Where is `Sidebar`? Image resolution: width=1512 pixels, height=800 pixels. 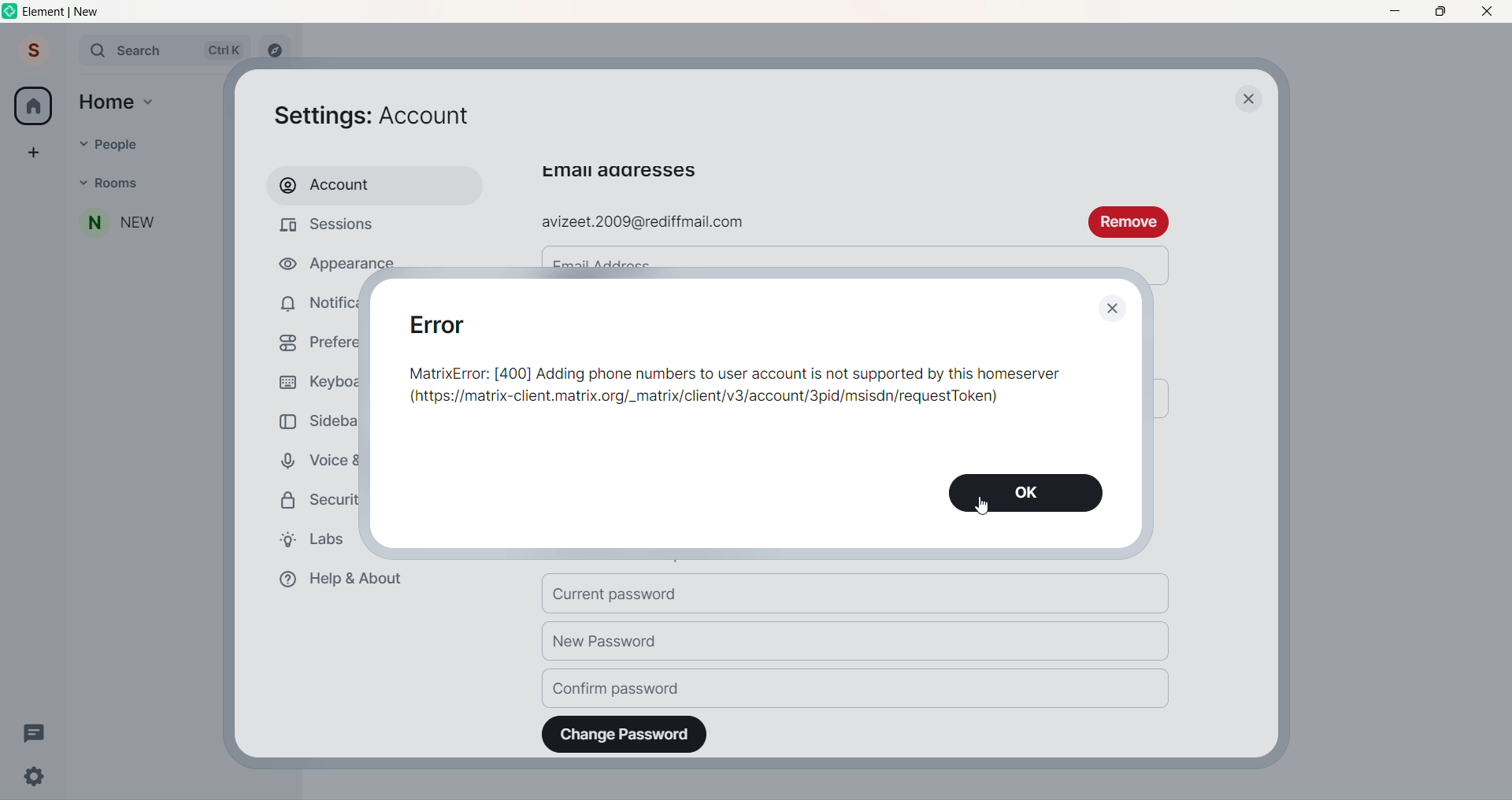 Sidebar is located at coordinates (313, 419).